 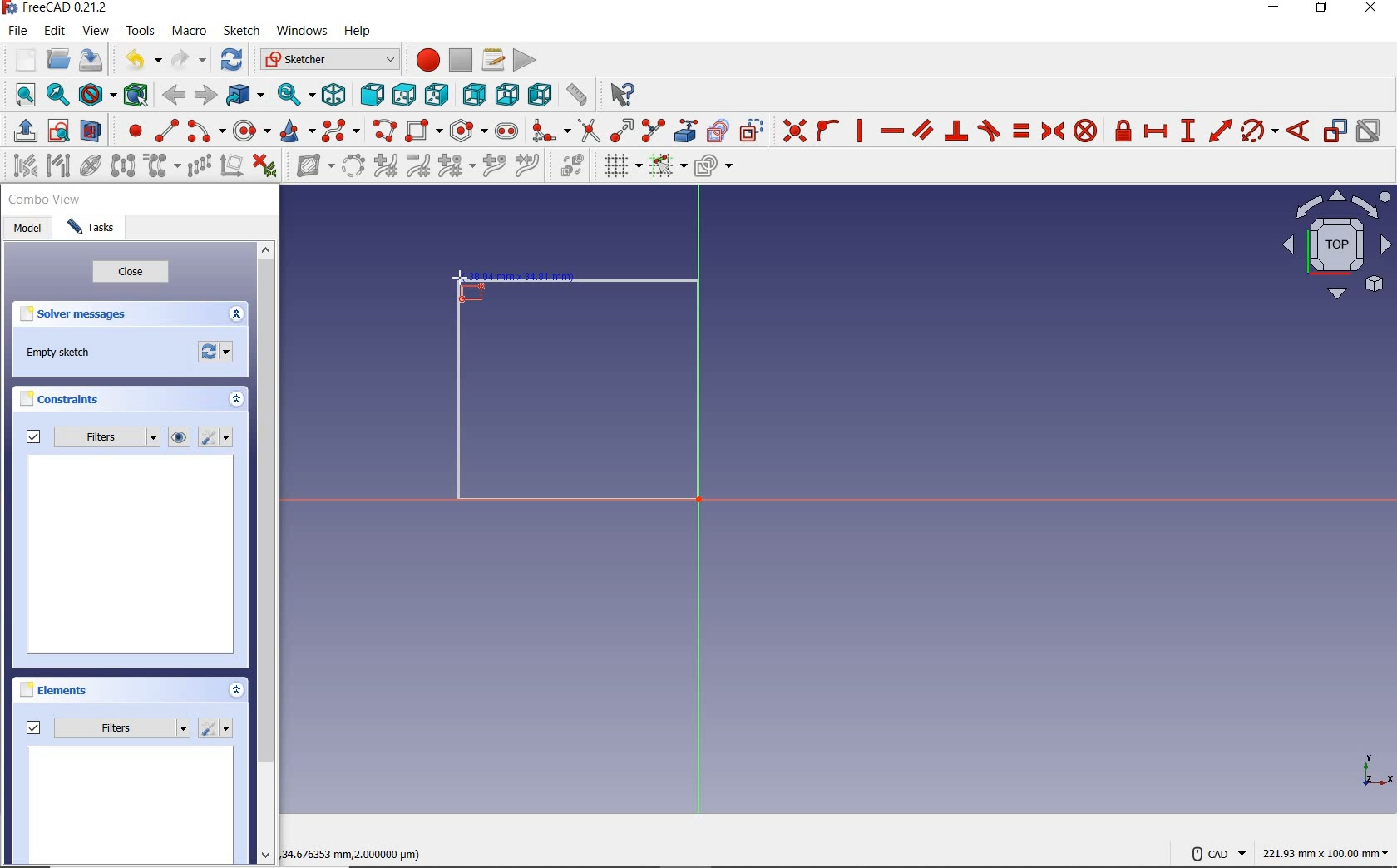 I want to click on execute macro, so click(x=524, y=60).